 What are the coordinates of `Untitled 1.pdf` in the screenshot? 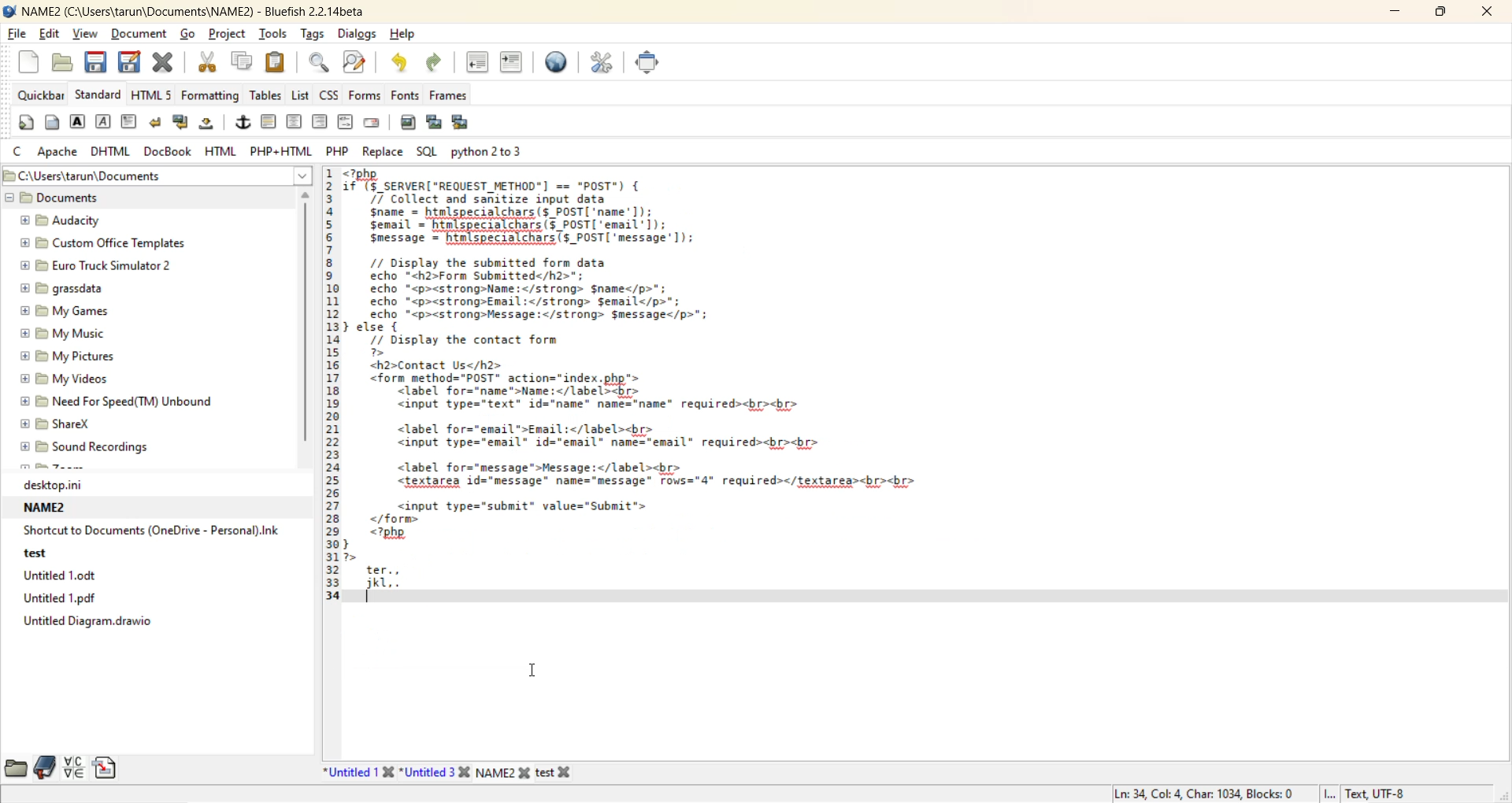 It's located at (72, 598).